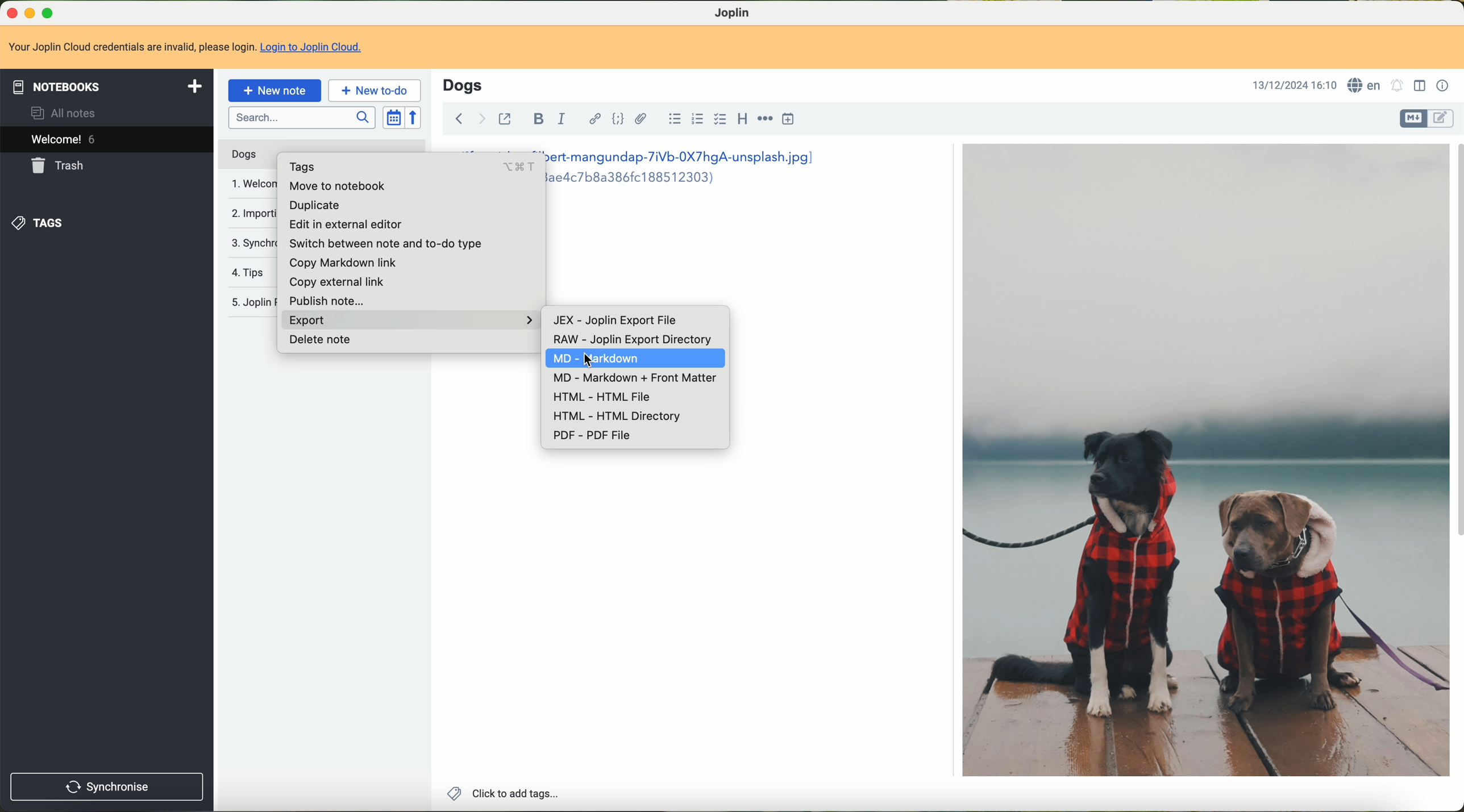 The height and width of the screenshot is (812, 1464). Describe the element at coordinates (562, 120) in the screenshot. I see `italic` at that location.